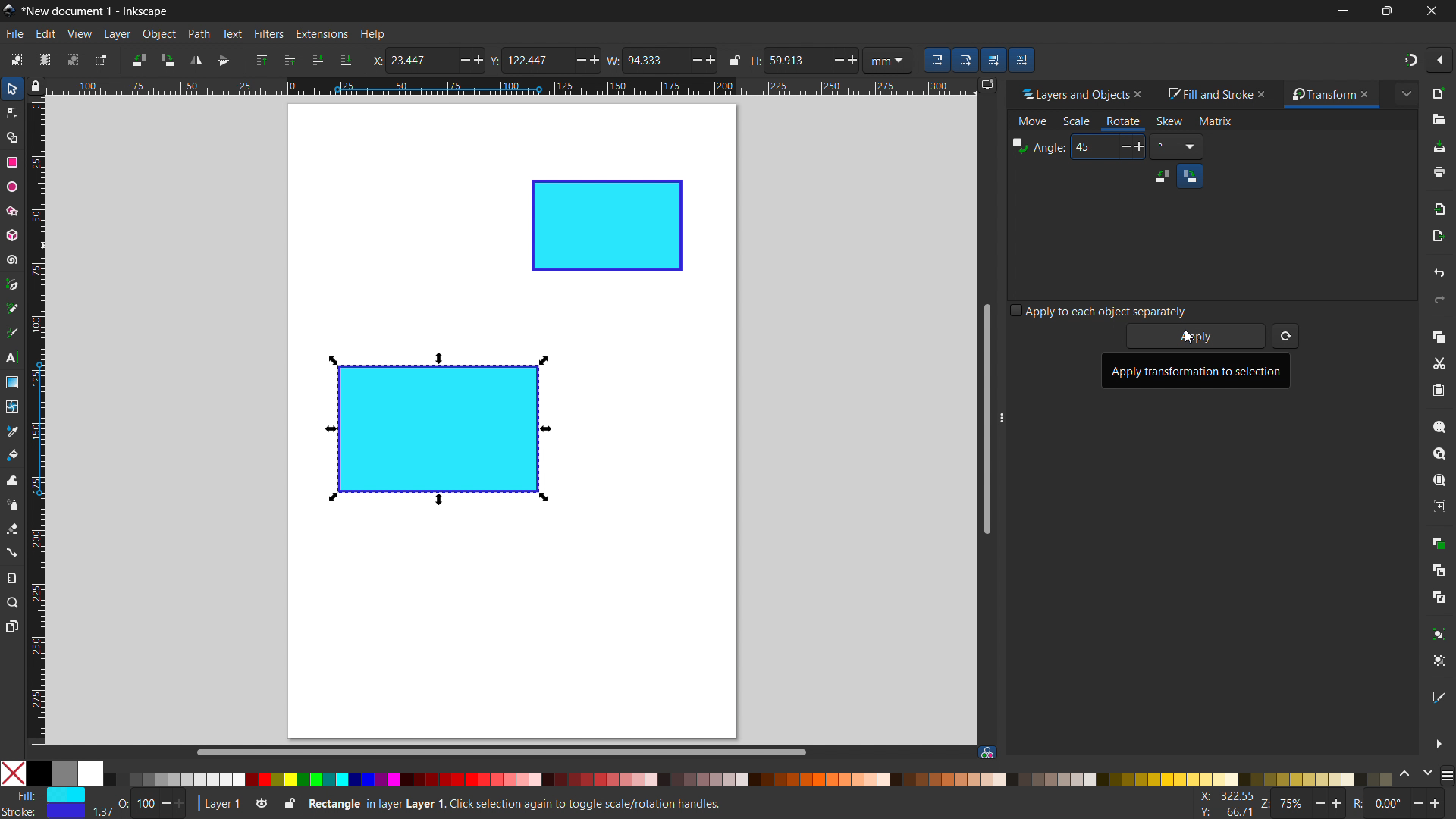 The height and width of the screenshot is (819, 1456). What do you see at coordinates (13, 577) in the screenshot?
I see `measurement tool` at bounding box center [13, 577].